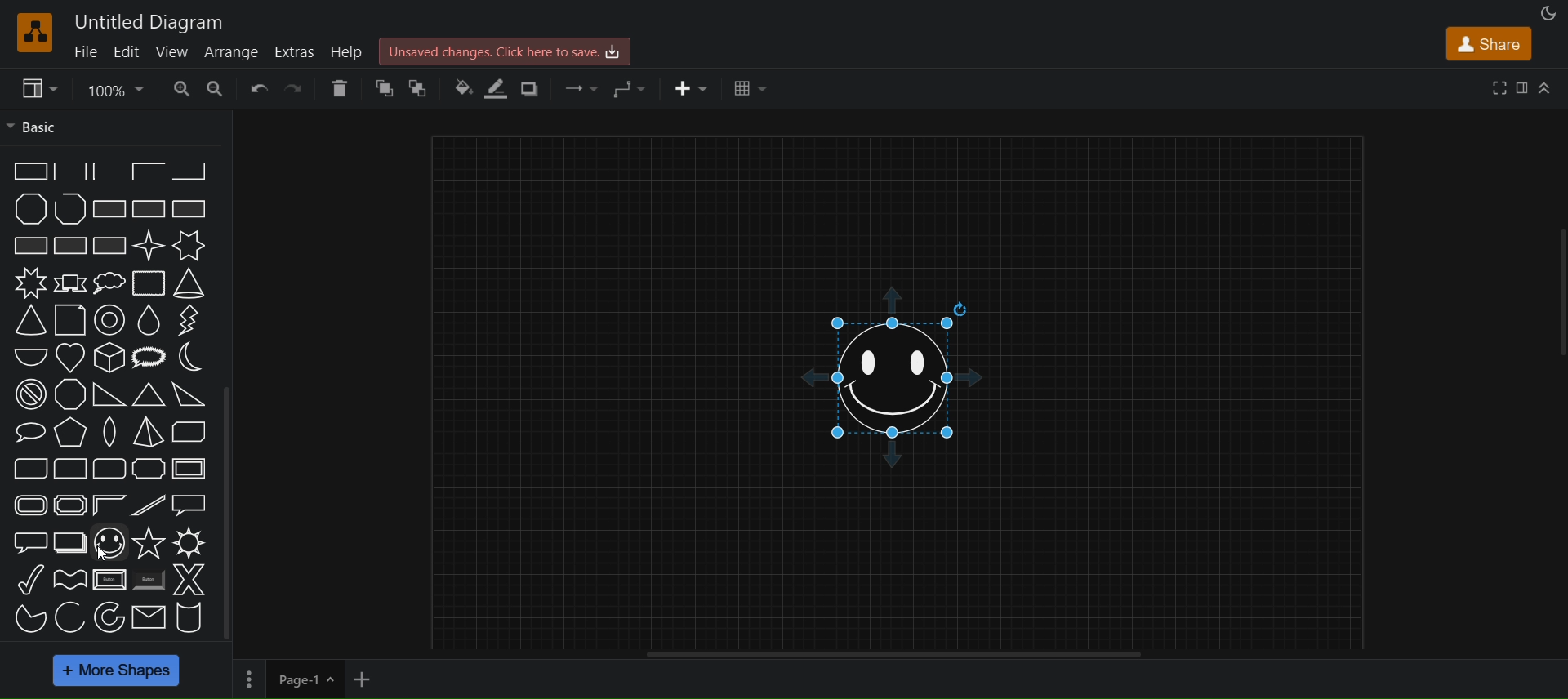  I want to click on orthogonal triangle, so click(107, 395).